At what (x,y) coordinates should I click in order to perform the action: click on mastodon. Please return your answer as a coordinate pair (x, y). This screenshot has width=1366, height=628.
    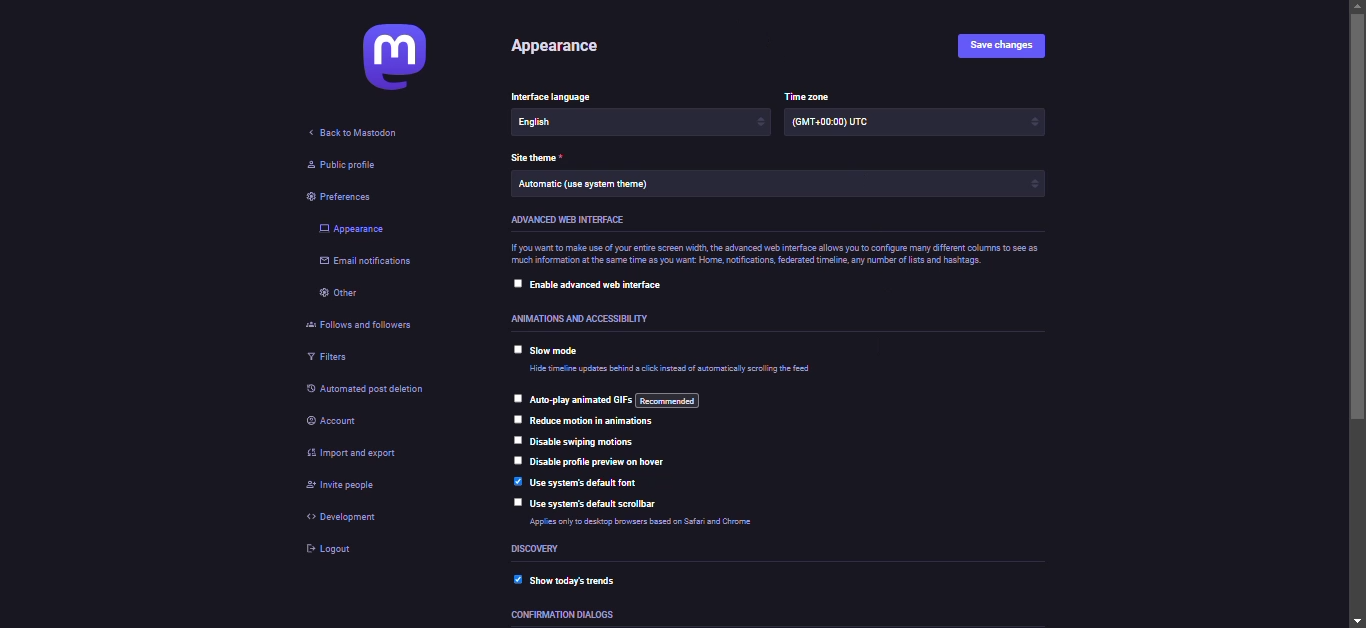
    Looking at the image, I should click on (390, 57).